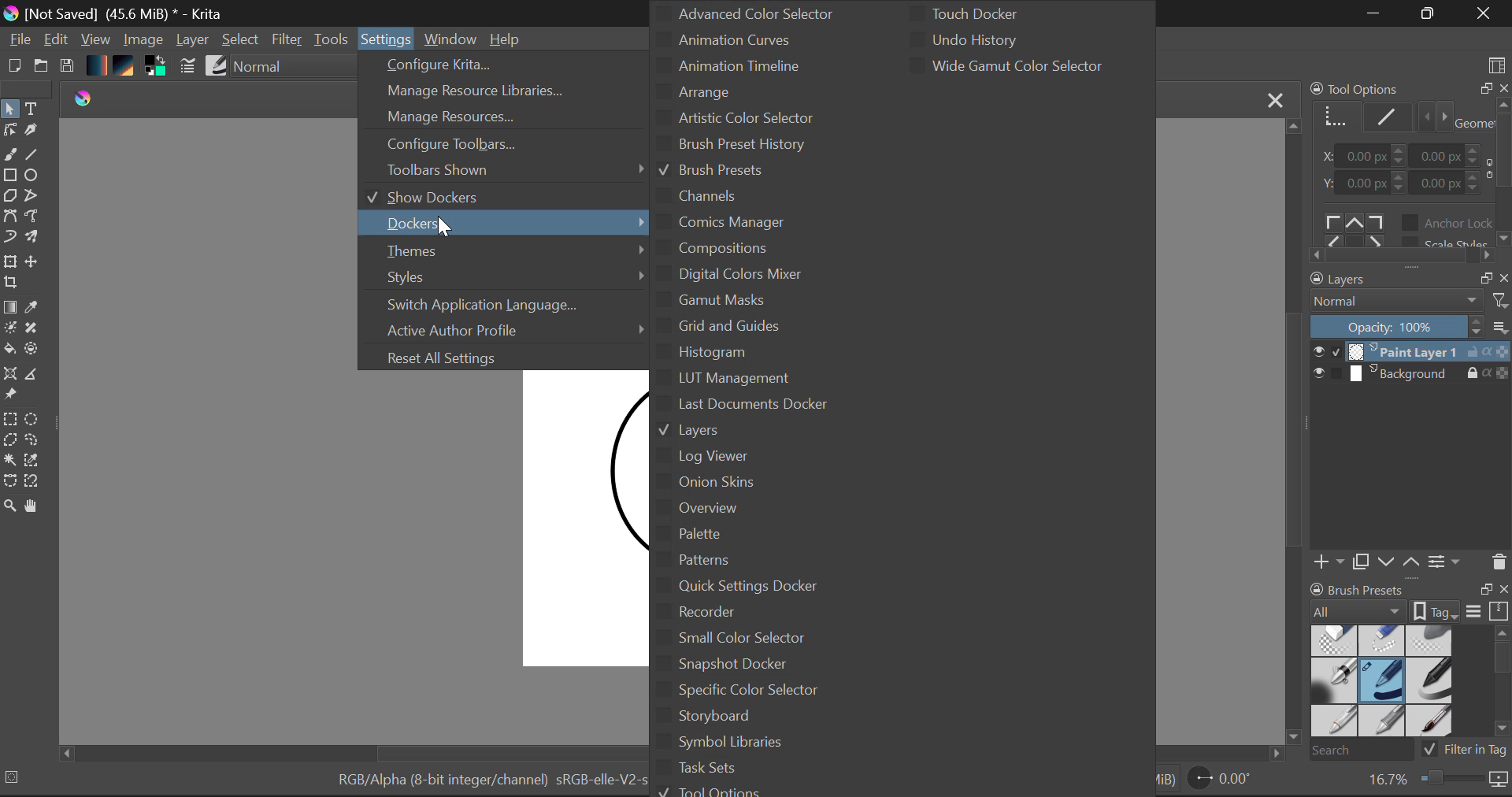  I want to click on LUT Management, so click(743, 377).